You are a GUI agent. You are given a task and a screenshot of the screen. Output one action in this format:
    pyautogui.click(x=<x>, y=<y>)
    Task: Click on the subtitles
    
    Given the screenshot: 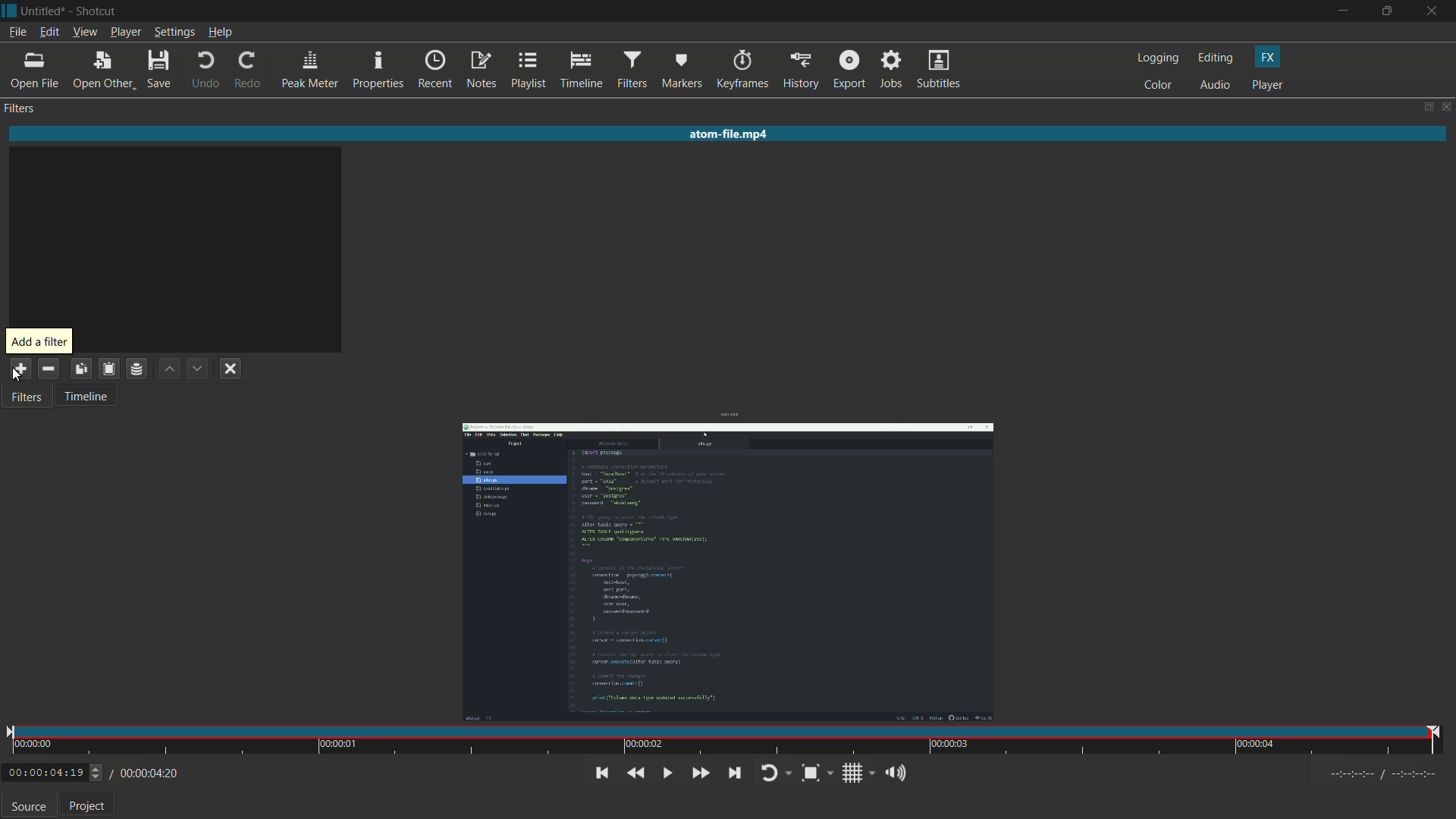 What is the action you would take?
    pyautogui.click(x=938, y=71)
    